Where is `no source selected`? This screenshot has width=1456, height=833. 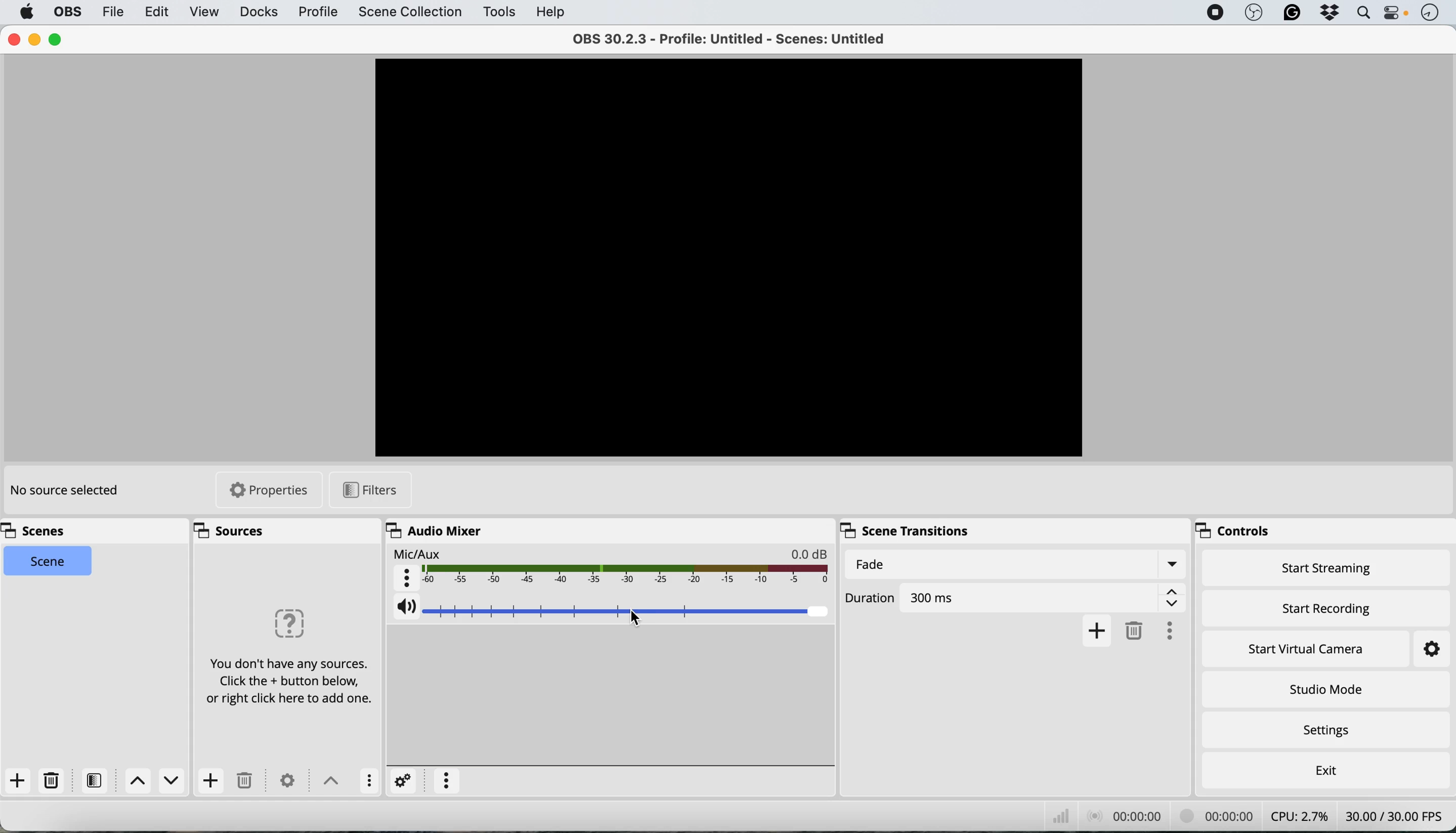
no source selected is located at coordinates (68, 493).